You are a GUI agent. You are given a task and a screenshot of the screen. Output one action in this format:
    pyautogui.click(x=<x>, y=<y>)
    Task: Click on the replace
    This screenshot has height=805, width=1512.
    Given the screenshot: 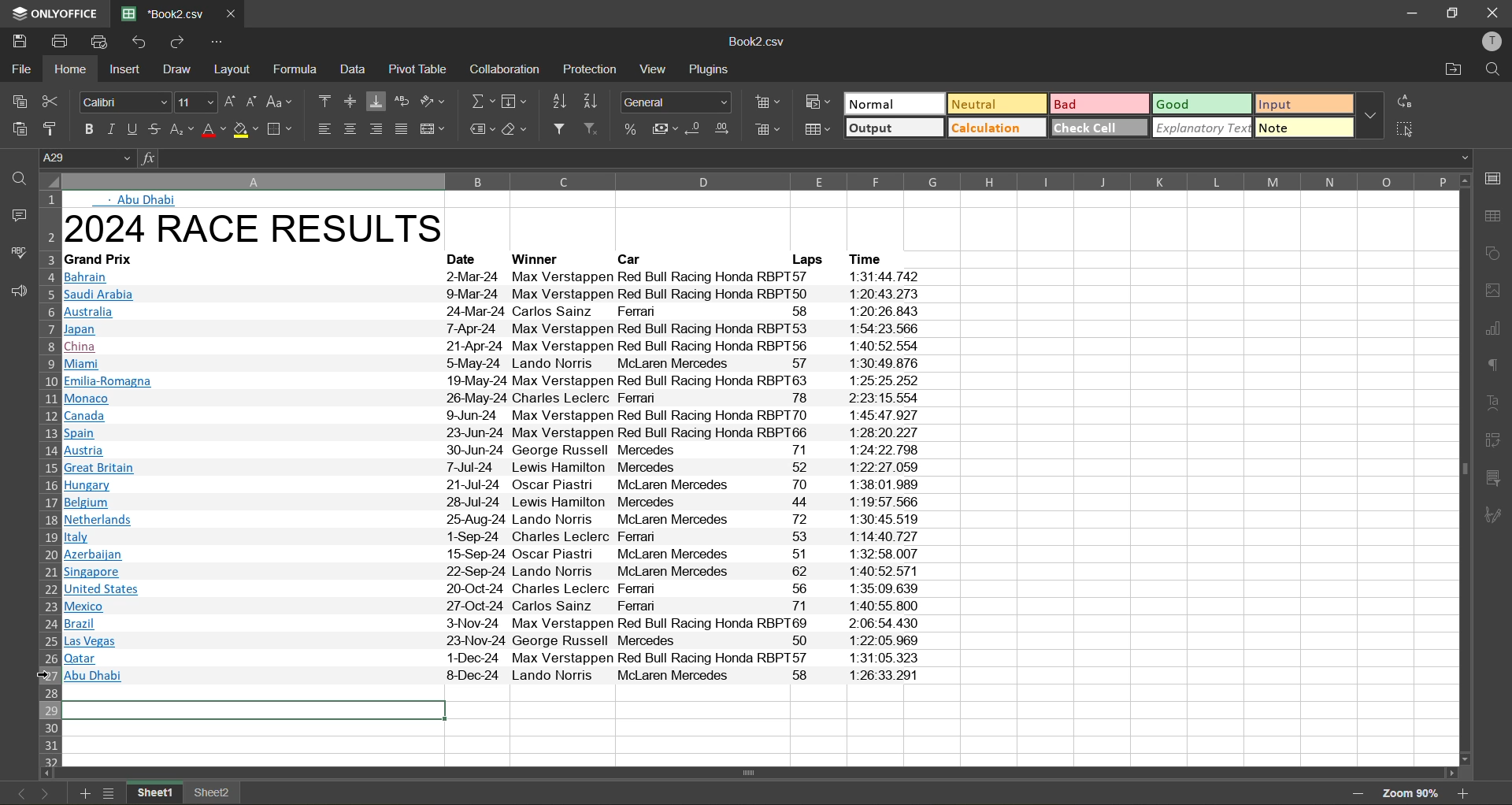 What is the action you would take?
    pyautogui.click(x=1406, y=102)
    